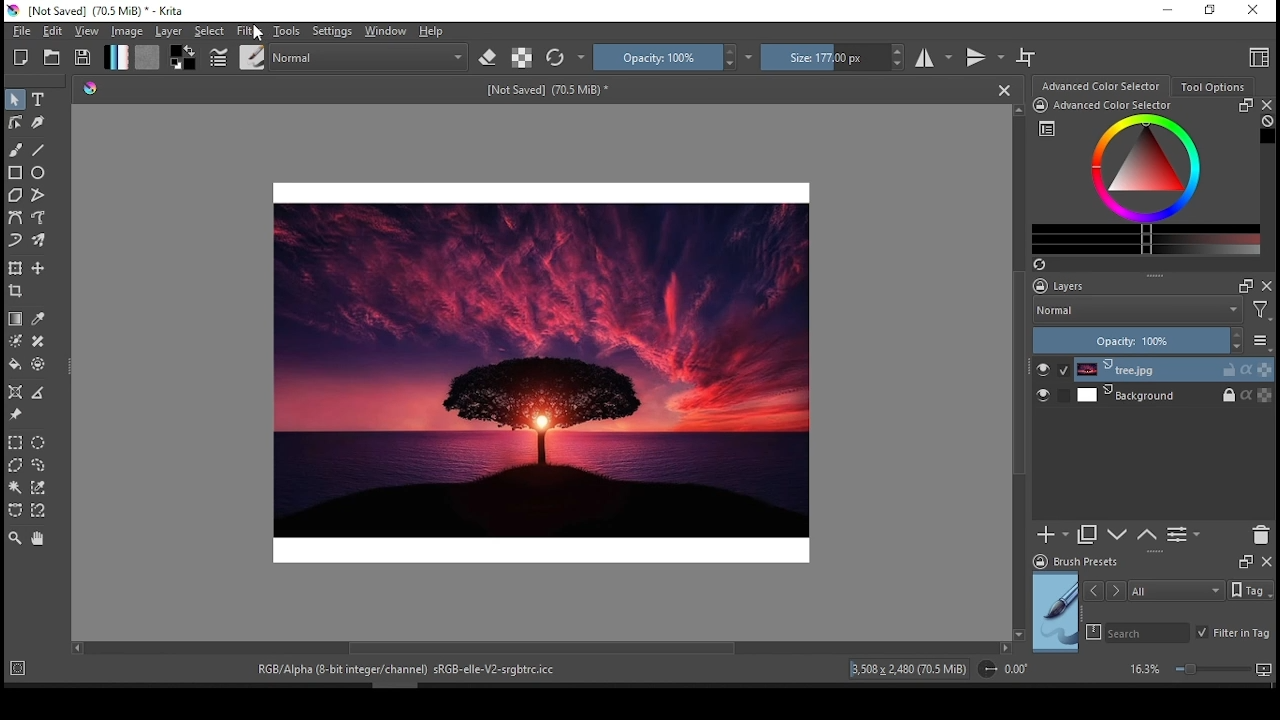 The image size is (1280, 720). What do you see at coordinates (250, 30) in the screenshot?
I see `filter` at bounding box center [250, 30].